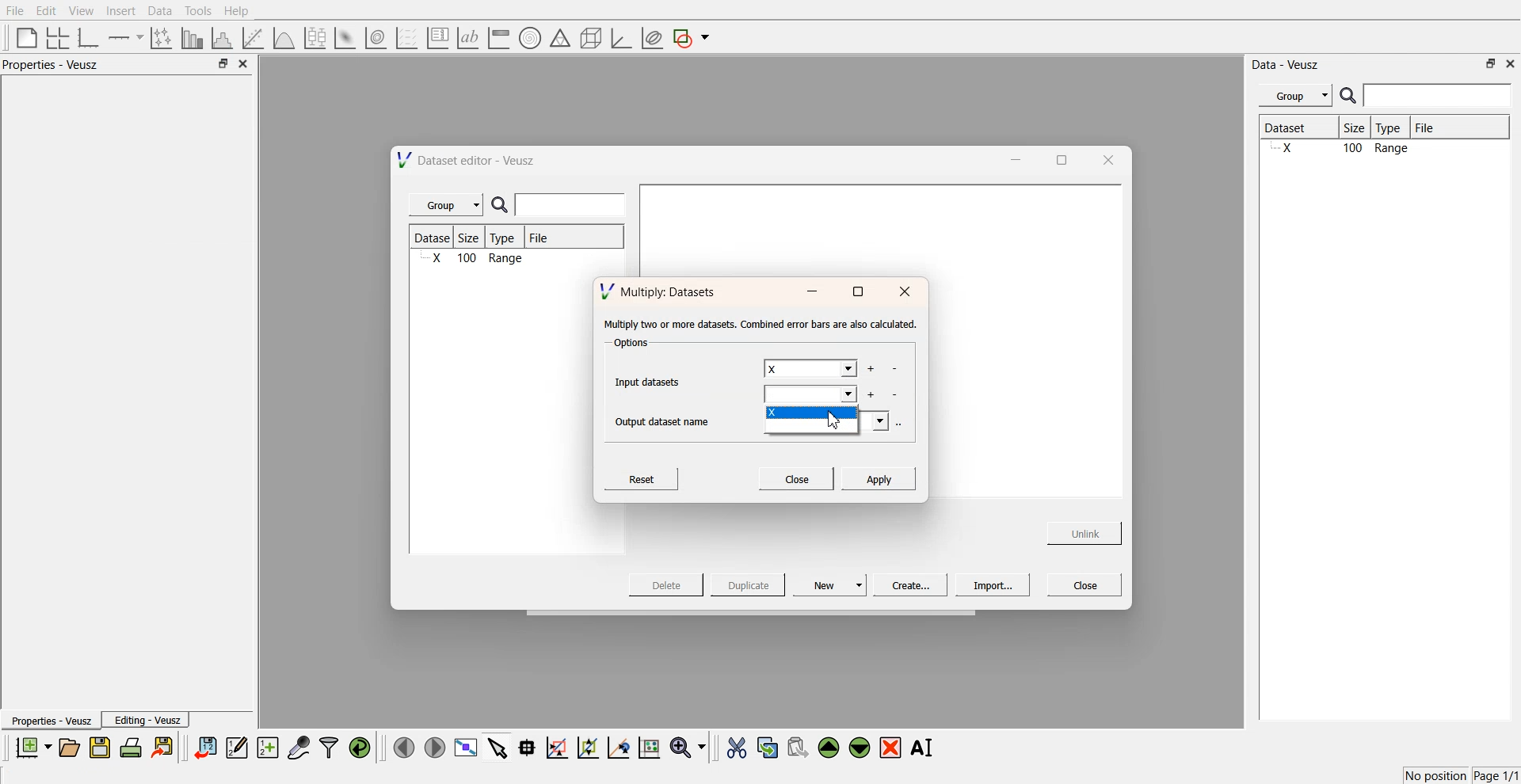 This screenshot has width=1521, height=784. Describe the element at coordinates (404, 747) in the screenshot. I see `move left` at that location.